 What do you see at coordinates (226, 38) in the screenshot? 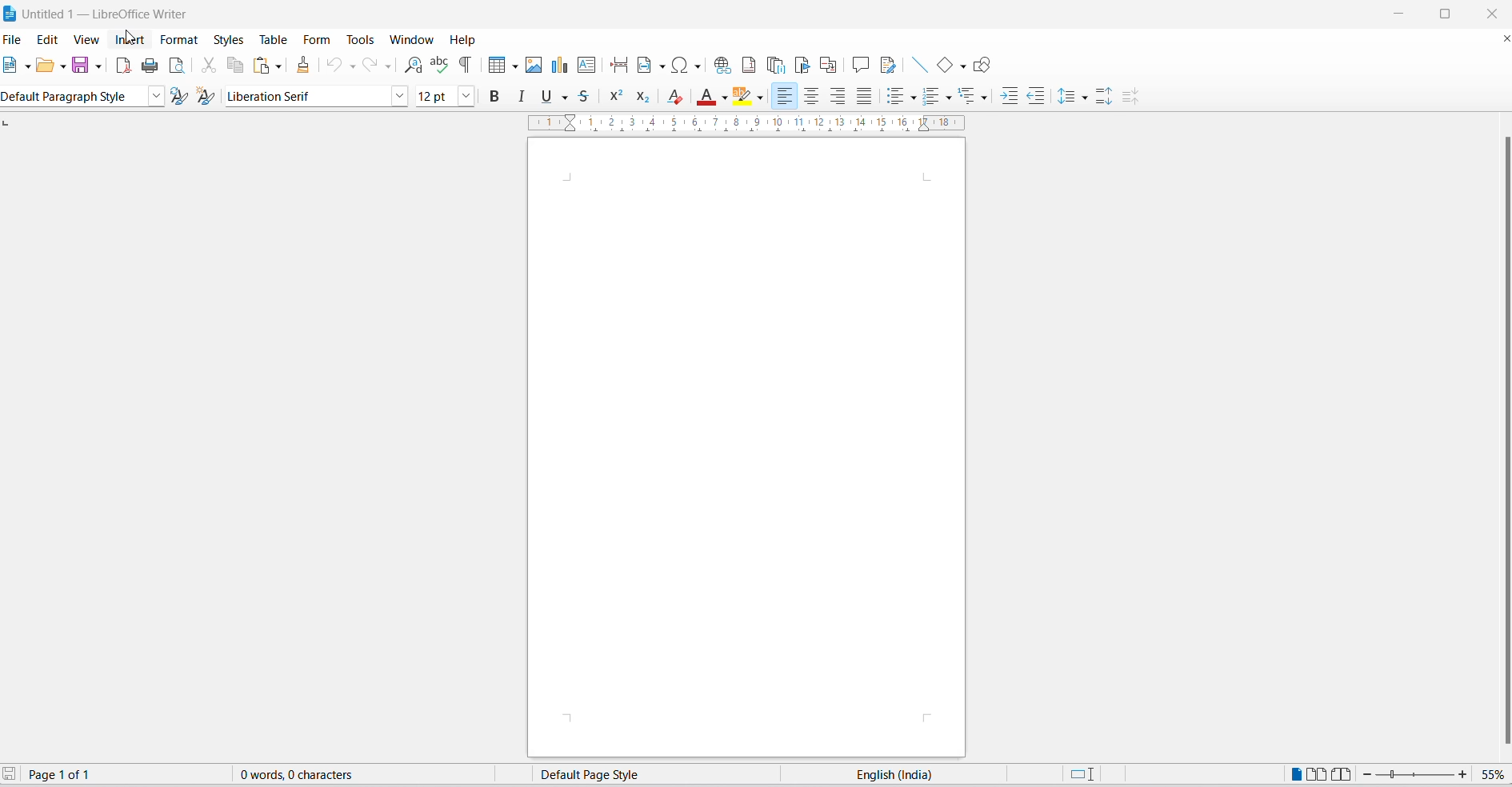
I see `styles` at bounding box center [226, 38].